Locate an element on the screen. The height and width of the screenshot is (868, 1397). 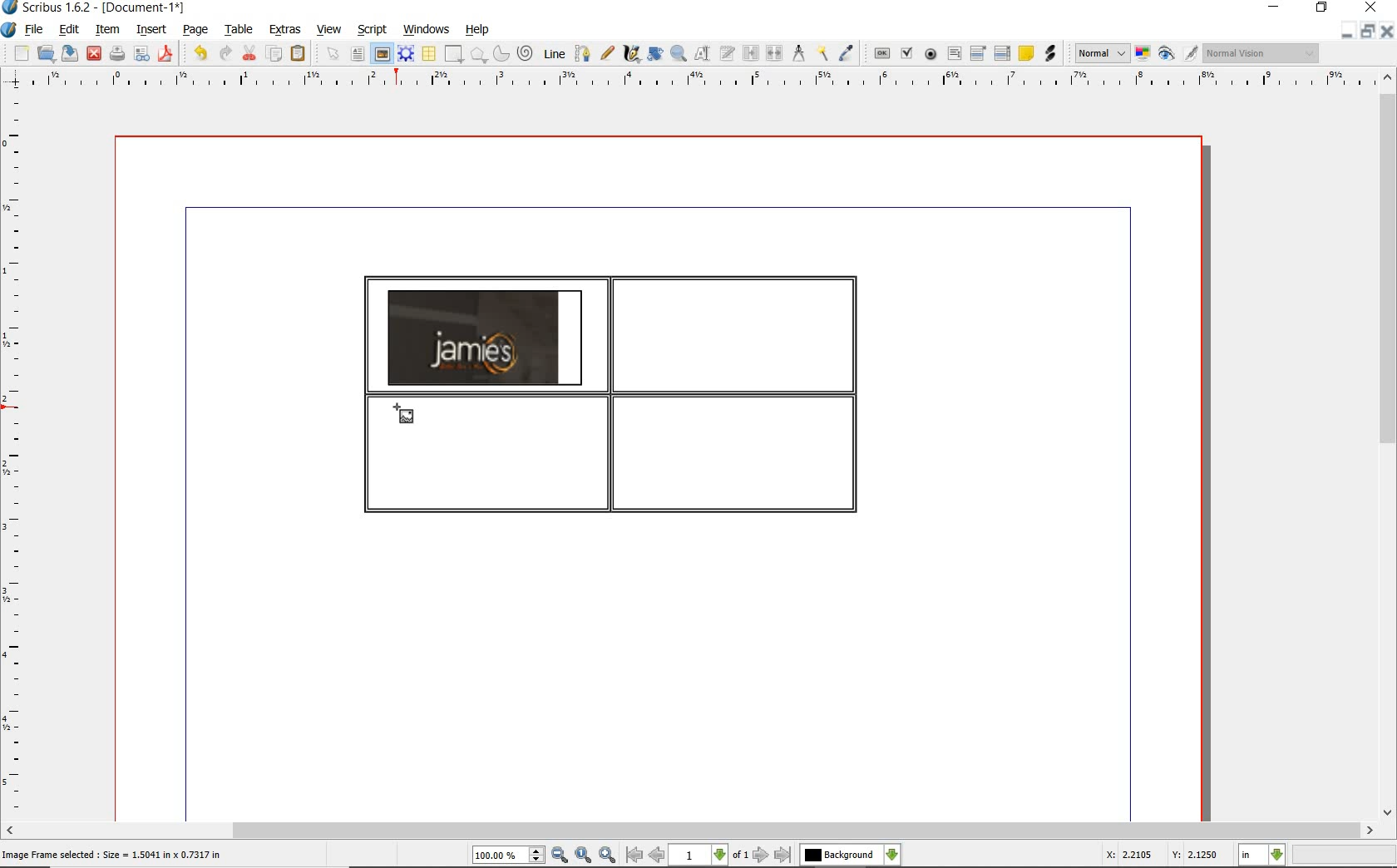
calligraphic line is located at coordinates (632, 54).